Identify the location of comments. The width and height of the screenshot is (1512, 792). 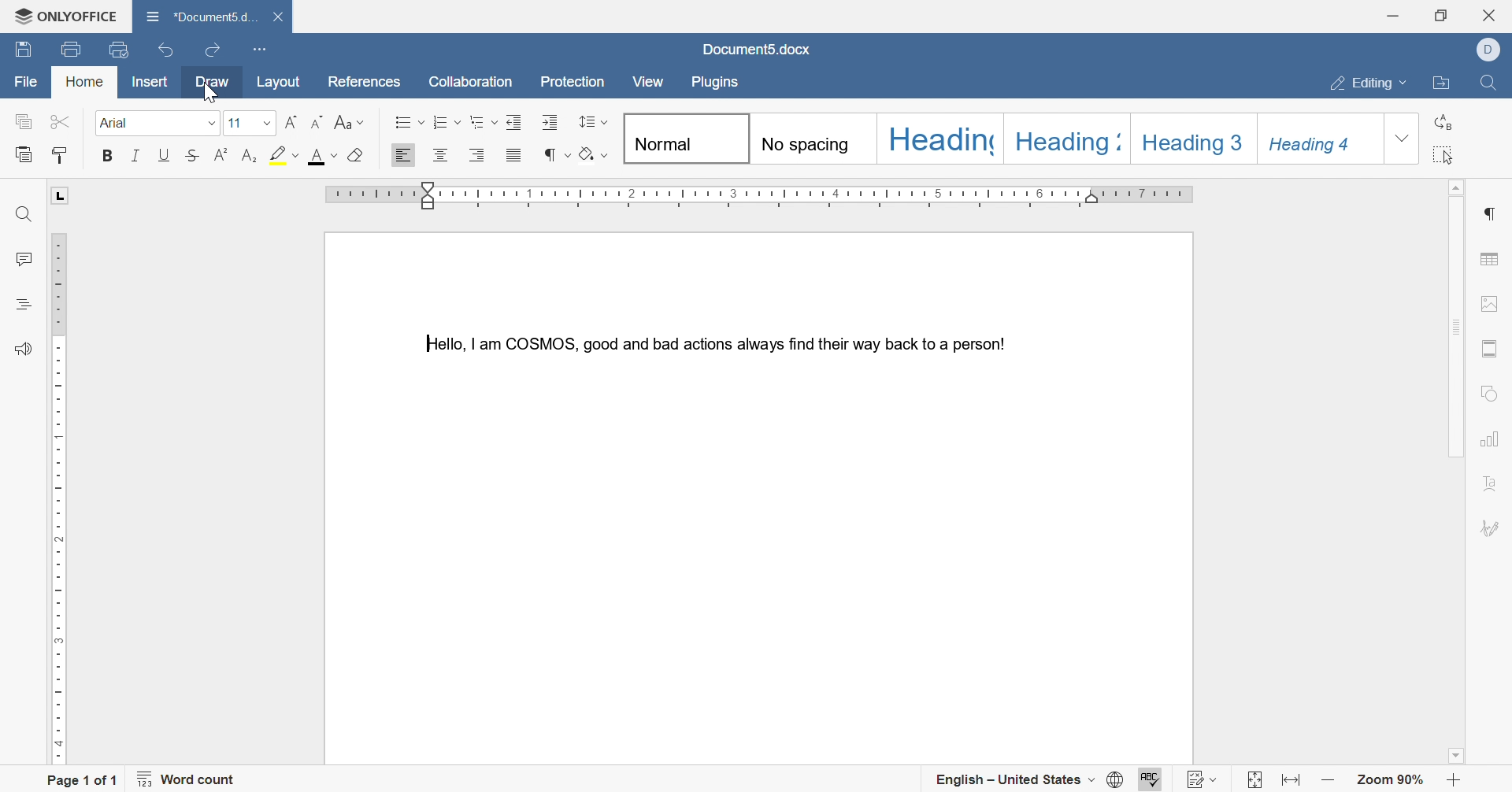
(22, 260).